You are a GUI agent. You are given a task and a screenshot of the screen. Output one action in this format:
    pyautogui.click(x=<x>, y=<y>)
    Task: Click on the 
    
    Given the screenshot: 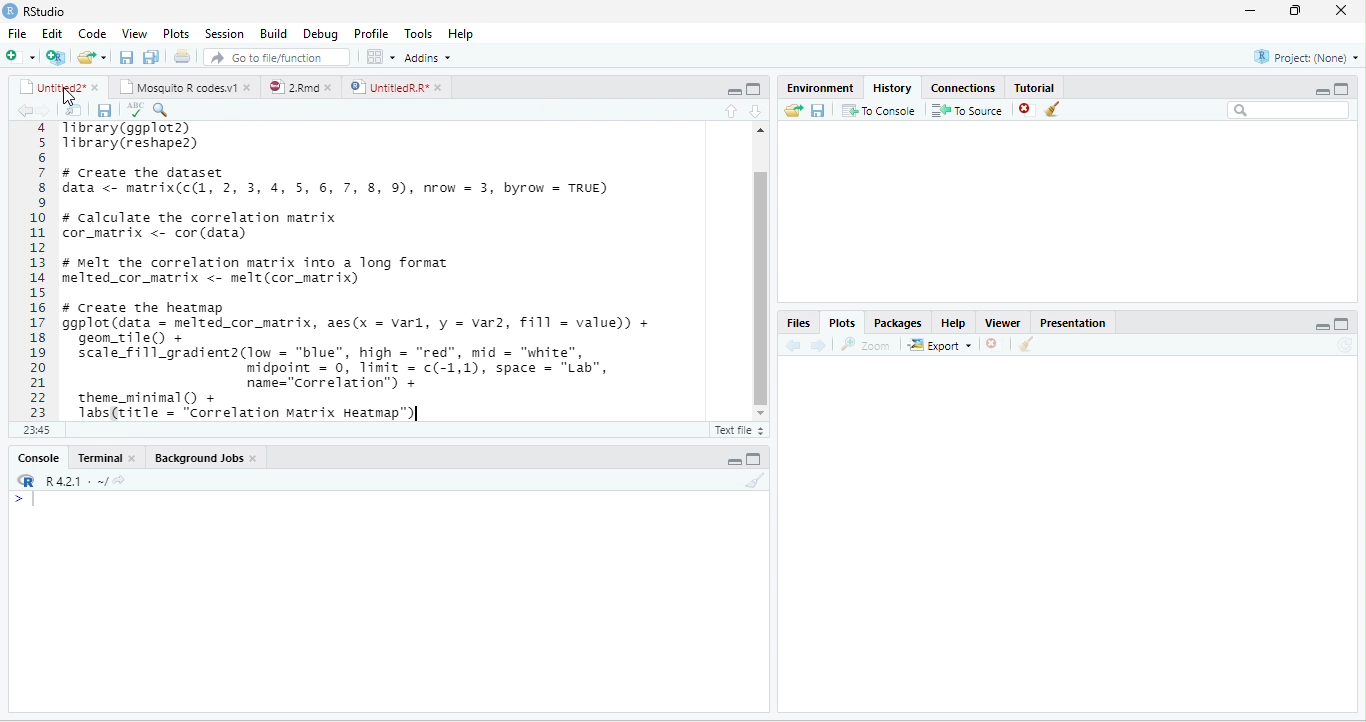 What is the action you would take?
    pyautogui.click(x=762, y=109)
    